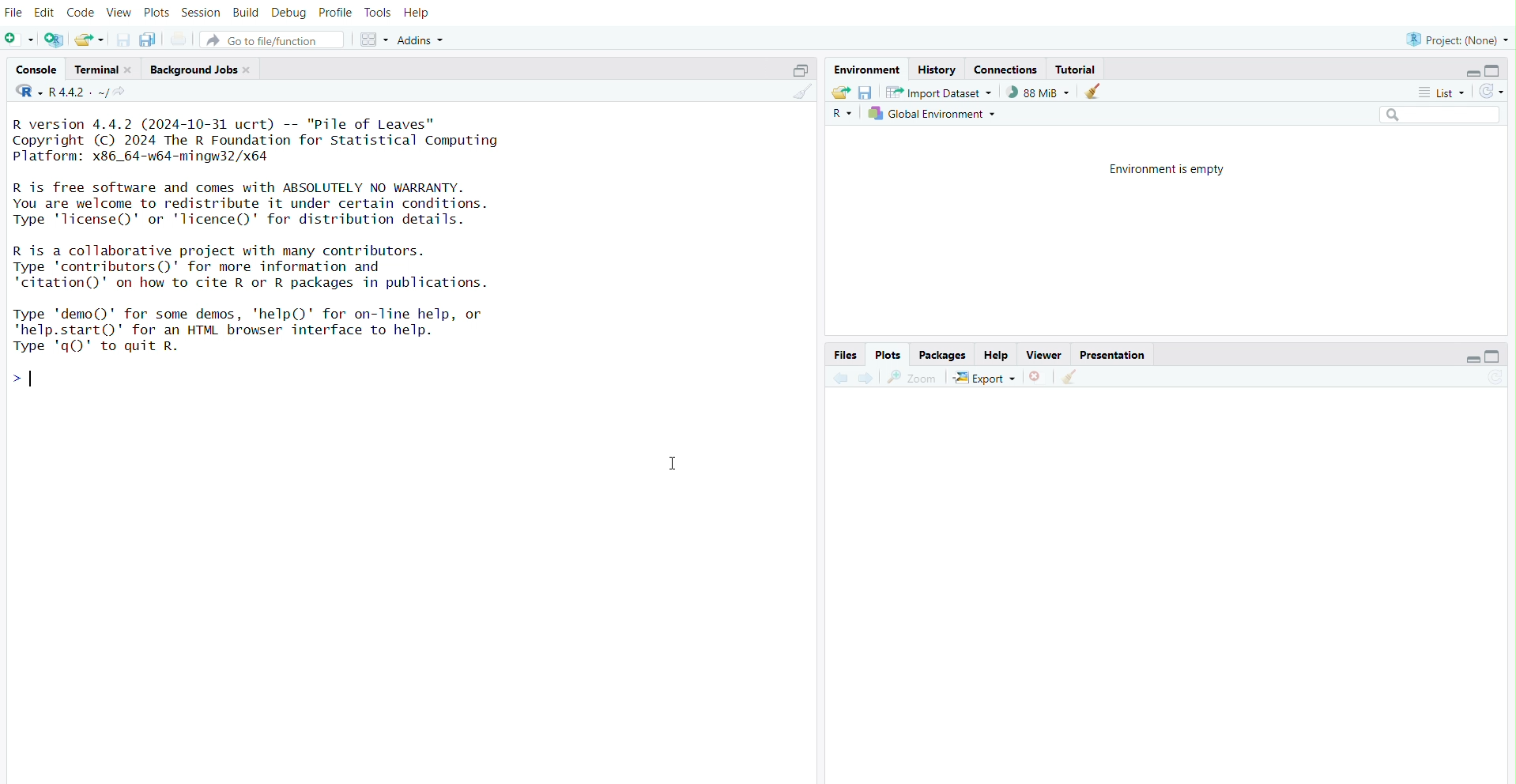 The height and width of the screenshot is (784, 1516). What do you see at coordinates (938, 115) in the screenshot?
I see `global environment` at bounding box center [938, 115].